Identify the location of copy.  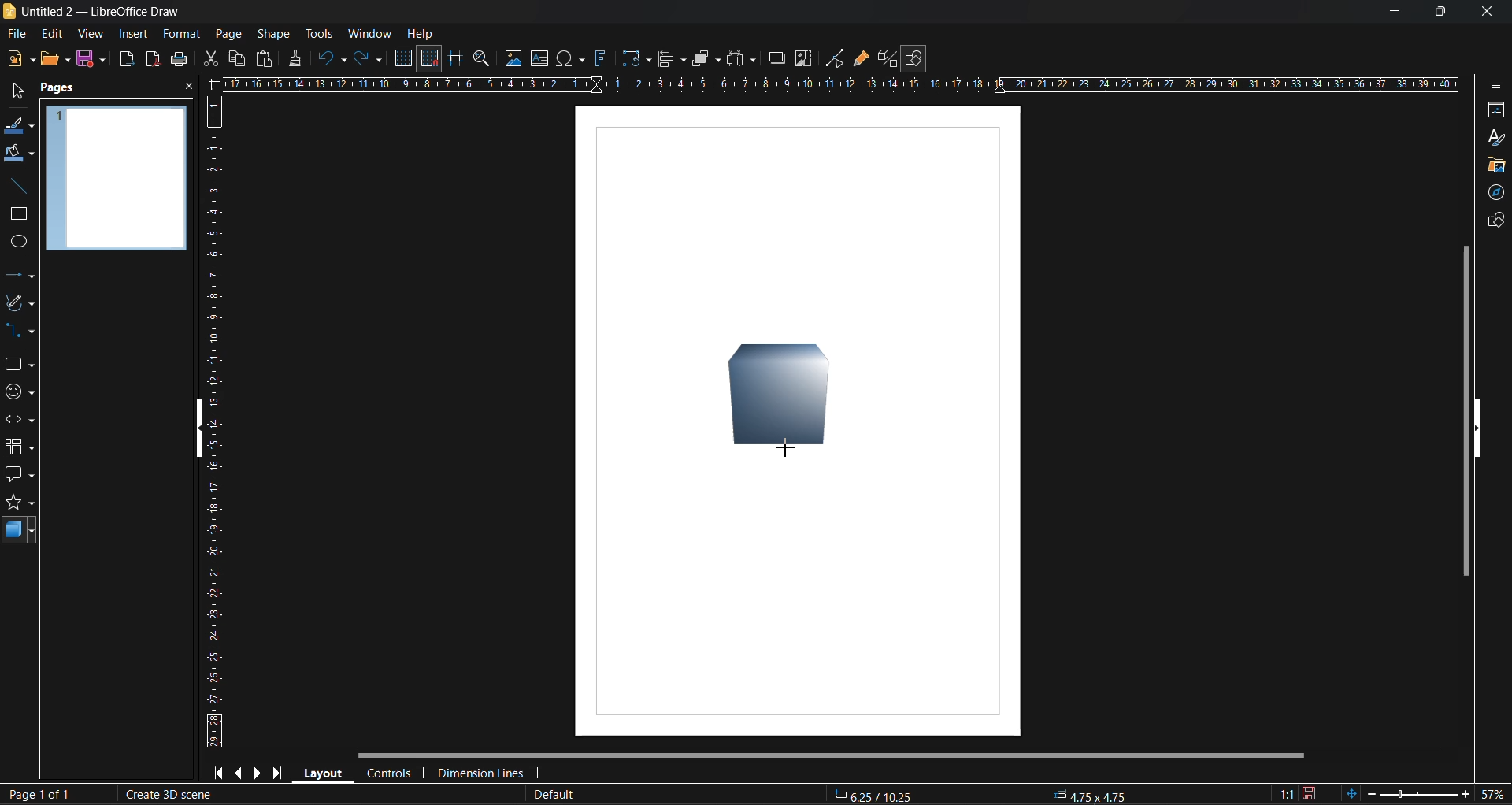
(235, 58).